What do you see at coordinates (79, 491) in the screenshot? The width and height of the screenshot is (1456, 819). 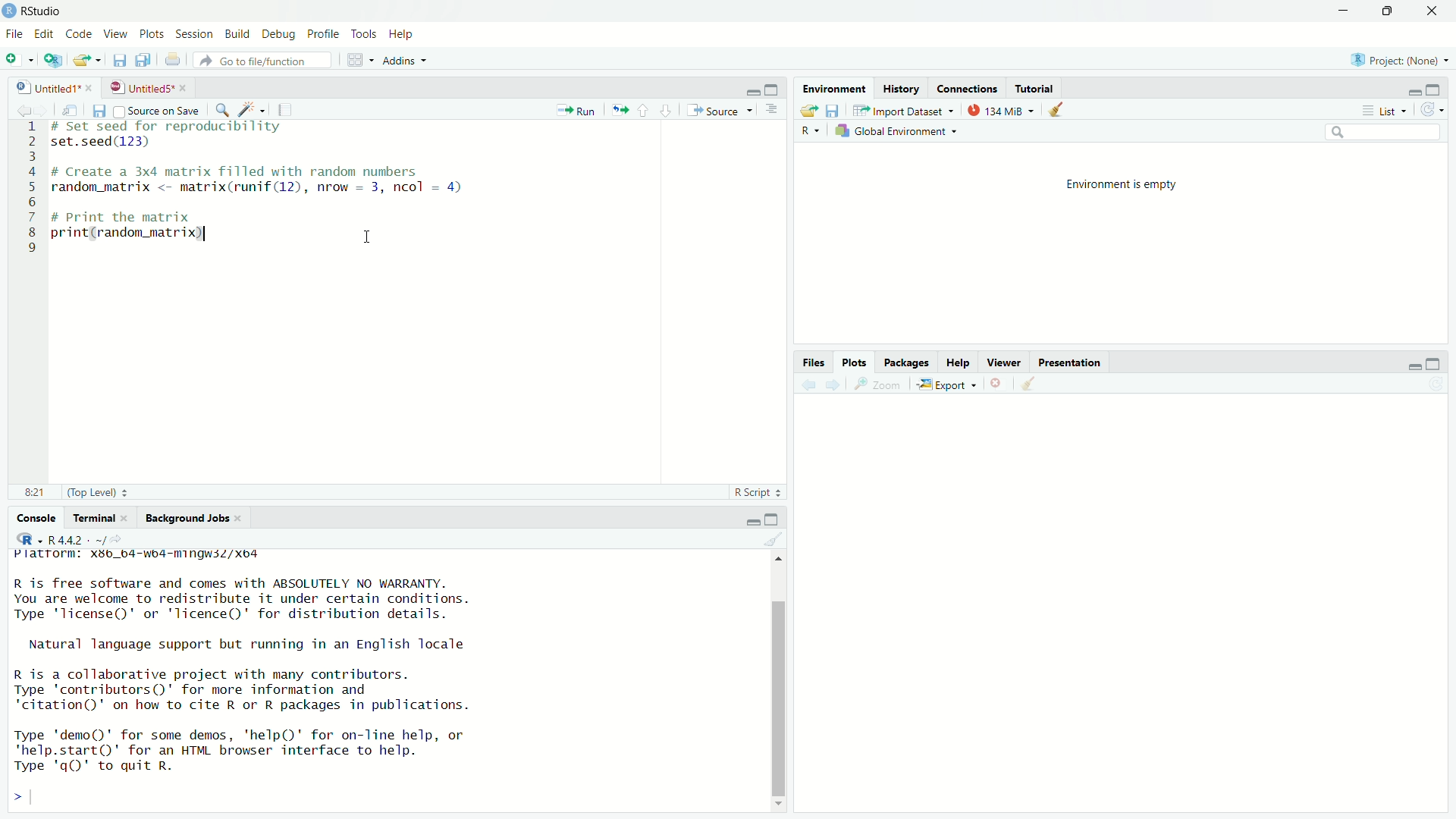 I see `91 (Top Level) =` at bounding box center [79, 491].